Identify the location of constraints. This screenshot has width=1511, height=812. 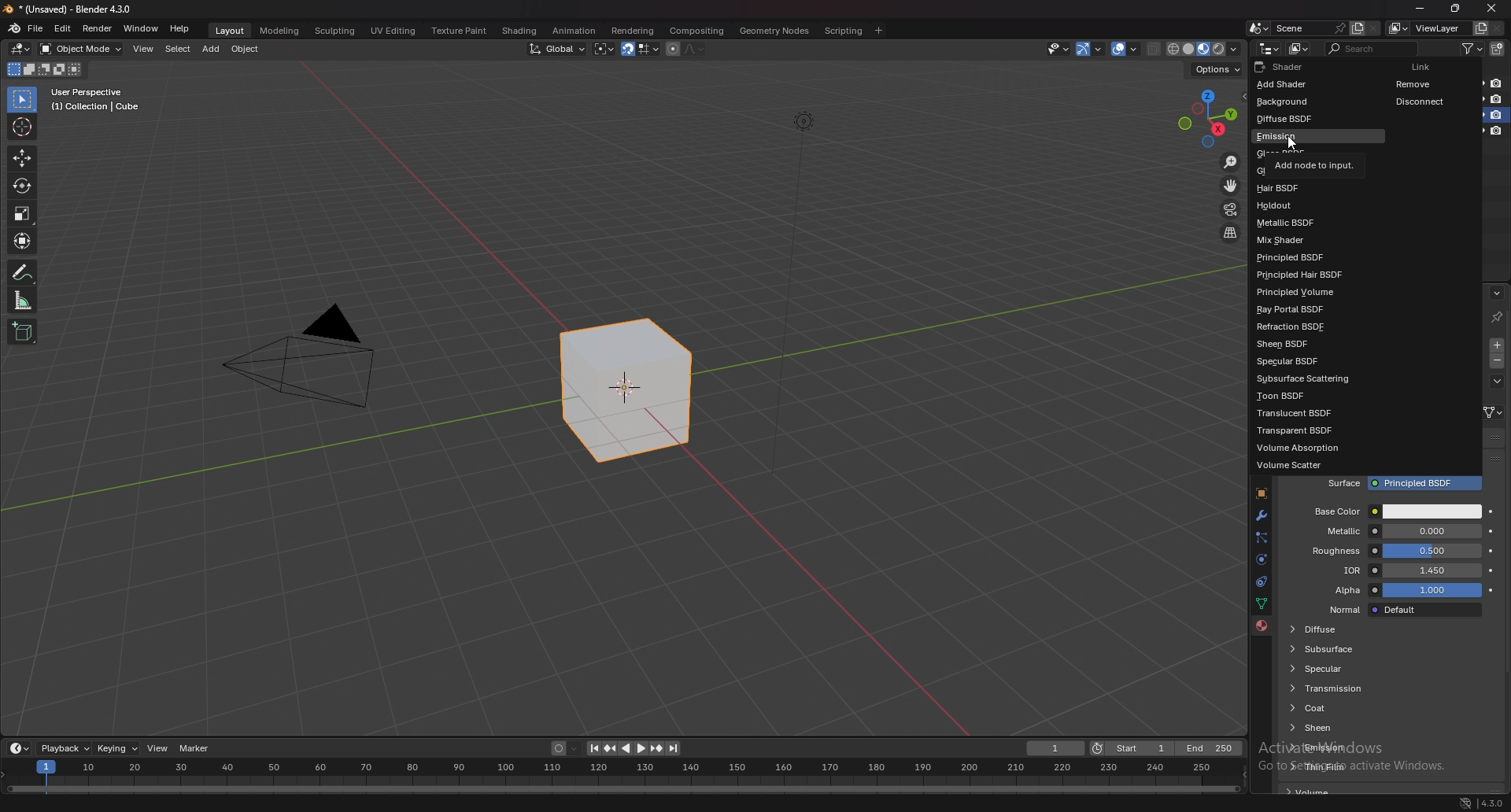
(1258, 582).